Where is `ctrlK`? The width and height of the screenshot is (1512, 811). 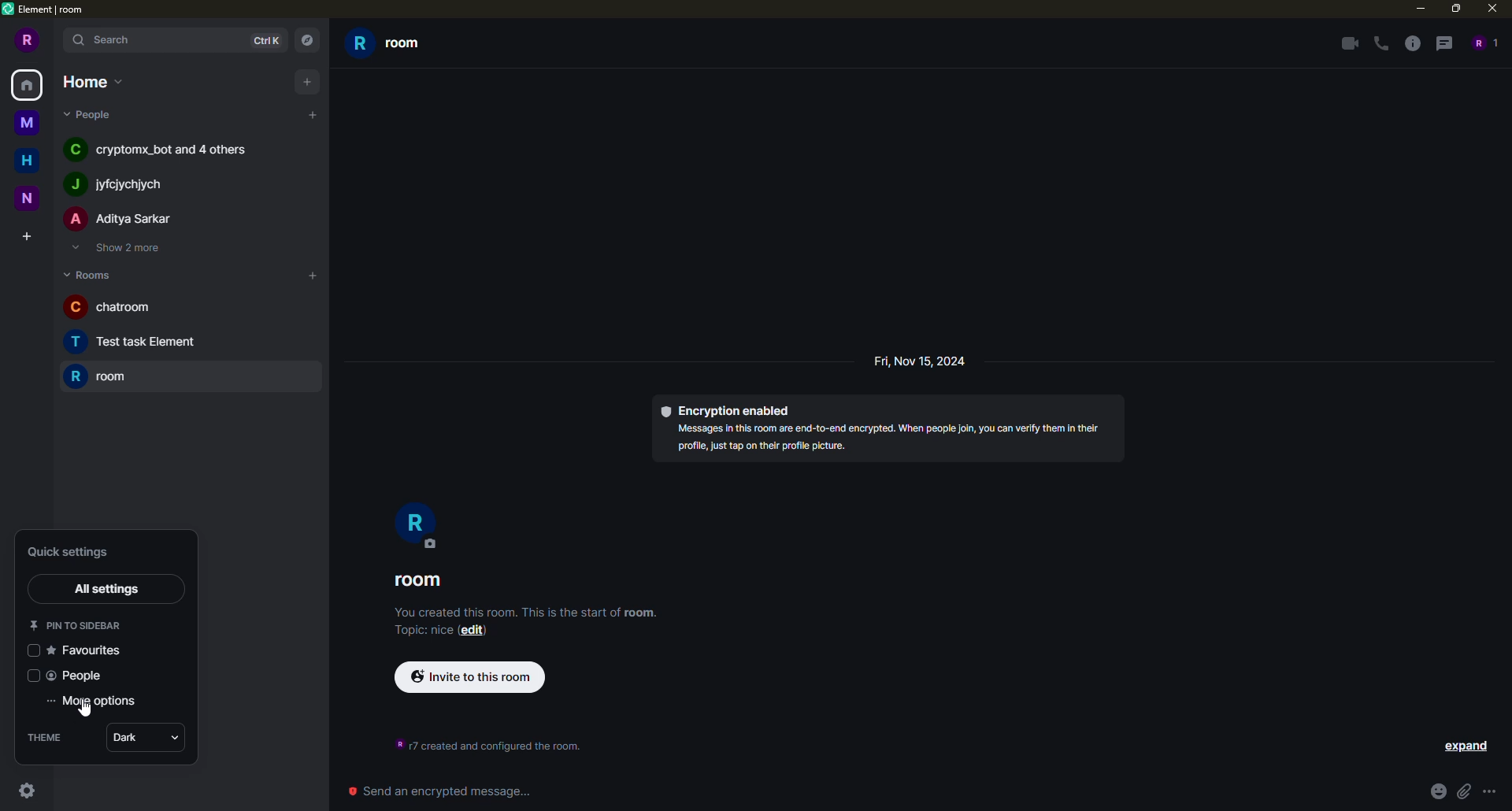 ctrlK is located at coordinates (268, 41).